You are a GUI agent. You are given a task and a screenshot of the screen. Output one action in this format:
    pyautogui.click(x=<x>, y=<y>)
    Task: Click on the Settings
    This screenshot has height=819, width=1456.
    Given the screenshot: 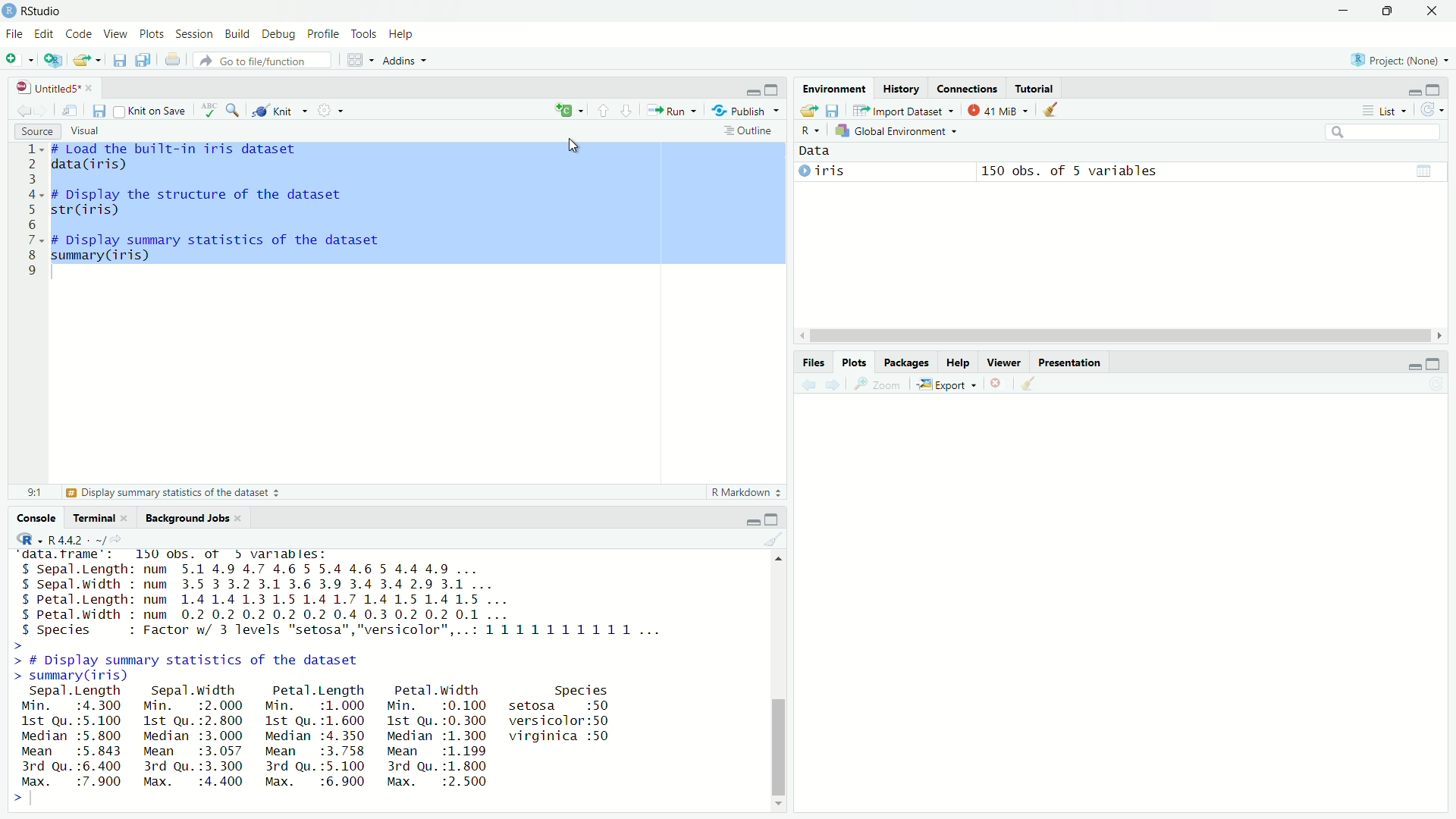 What is the action you would take?
    pyautogui.click(x=335, y=110)
    